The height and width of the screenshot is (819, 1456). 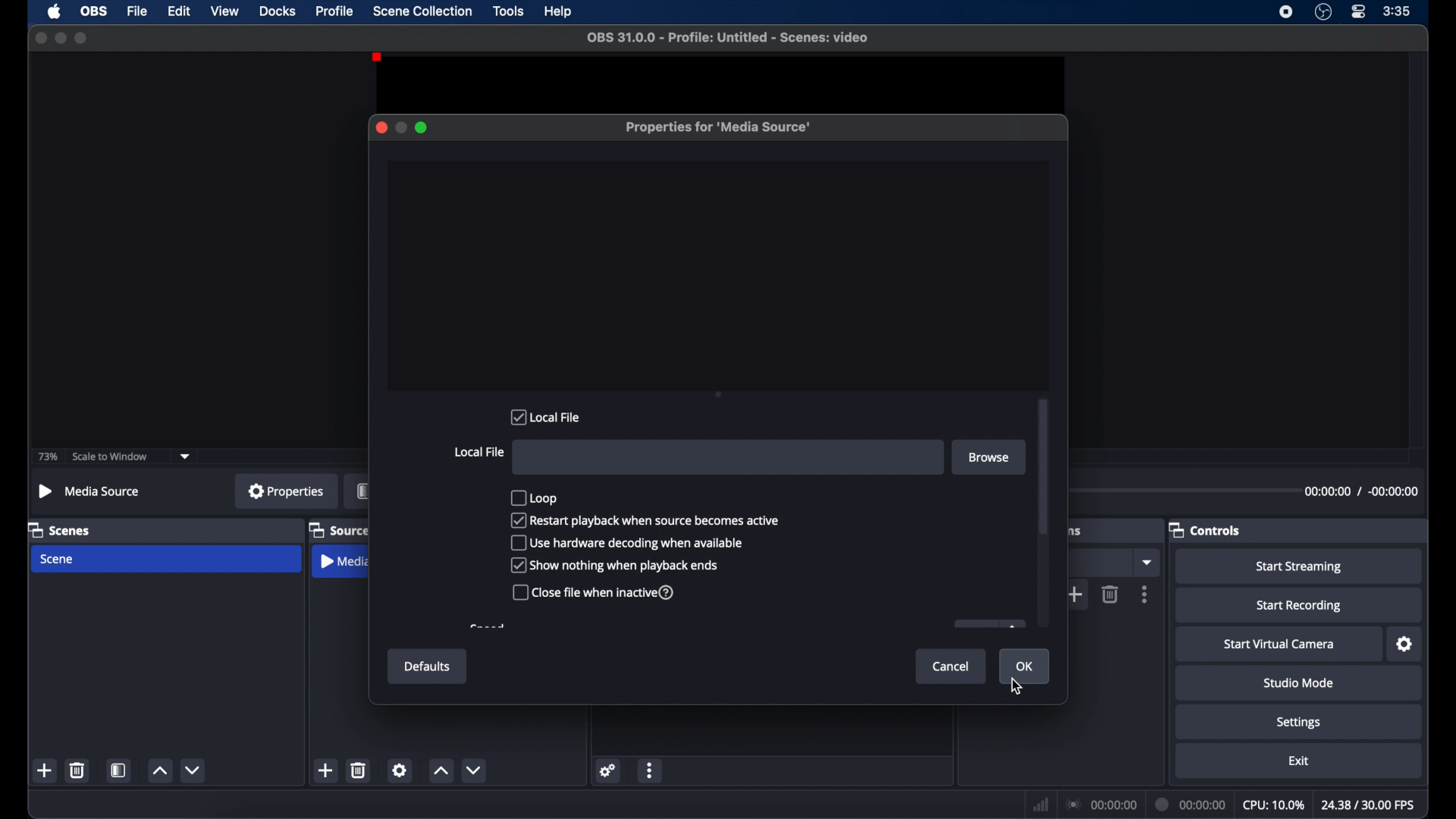 I want to click on dropdown, so click(x=1147, y=561).